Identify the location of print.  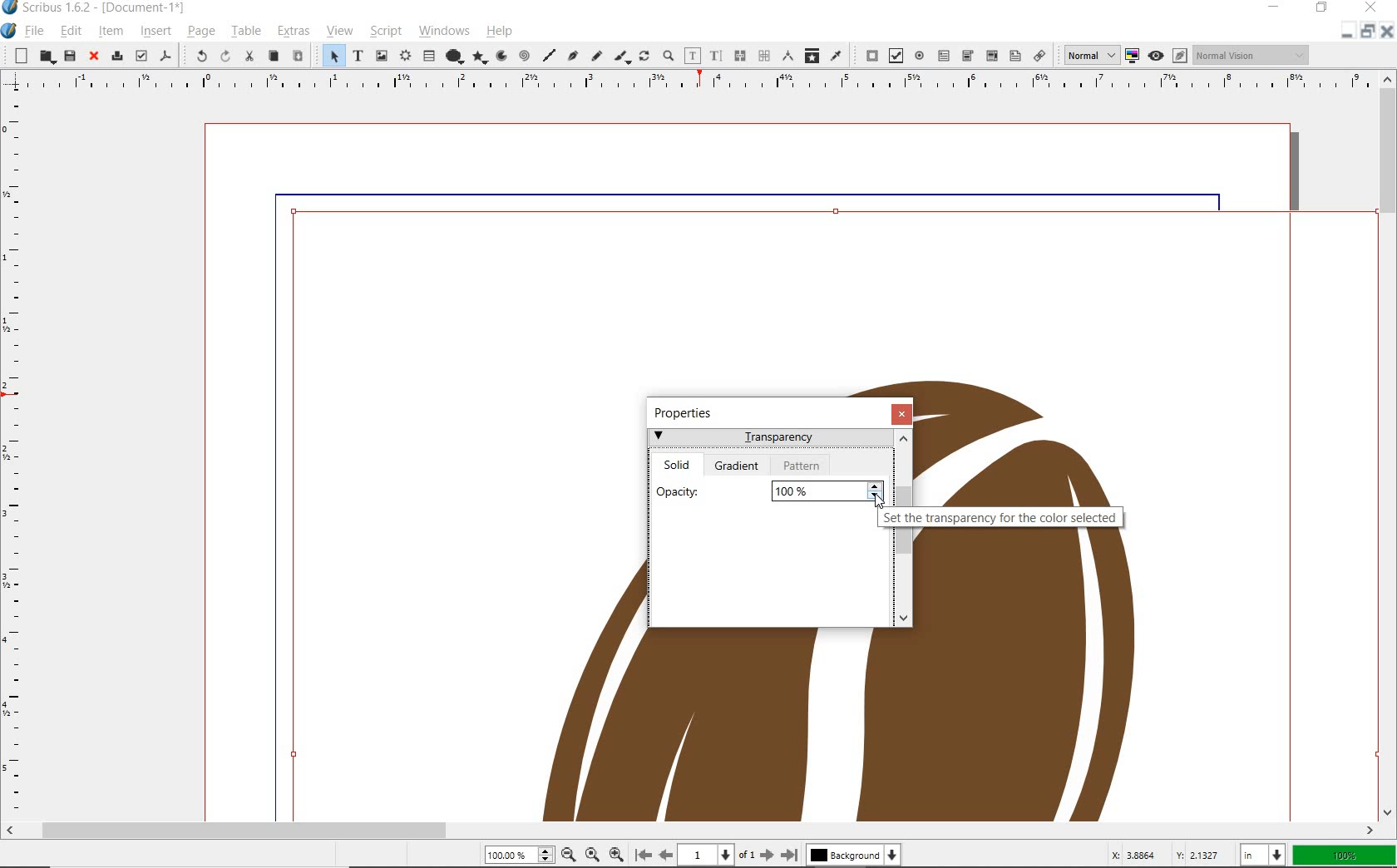
(116, 57).